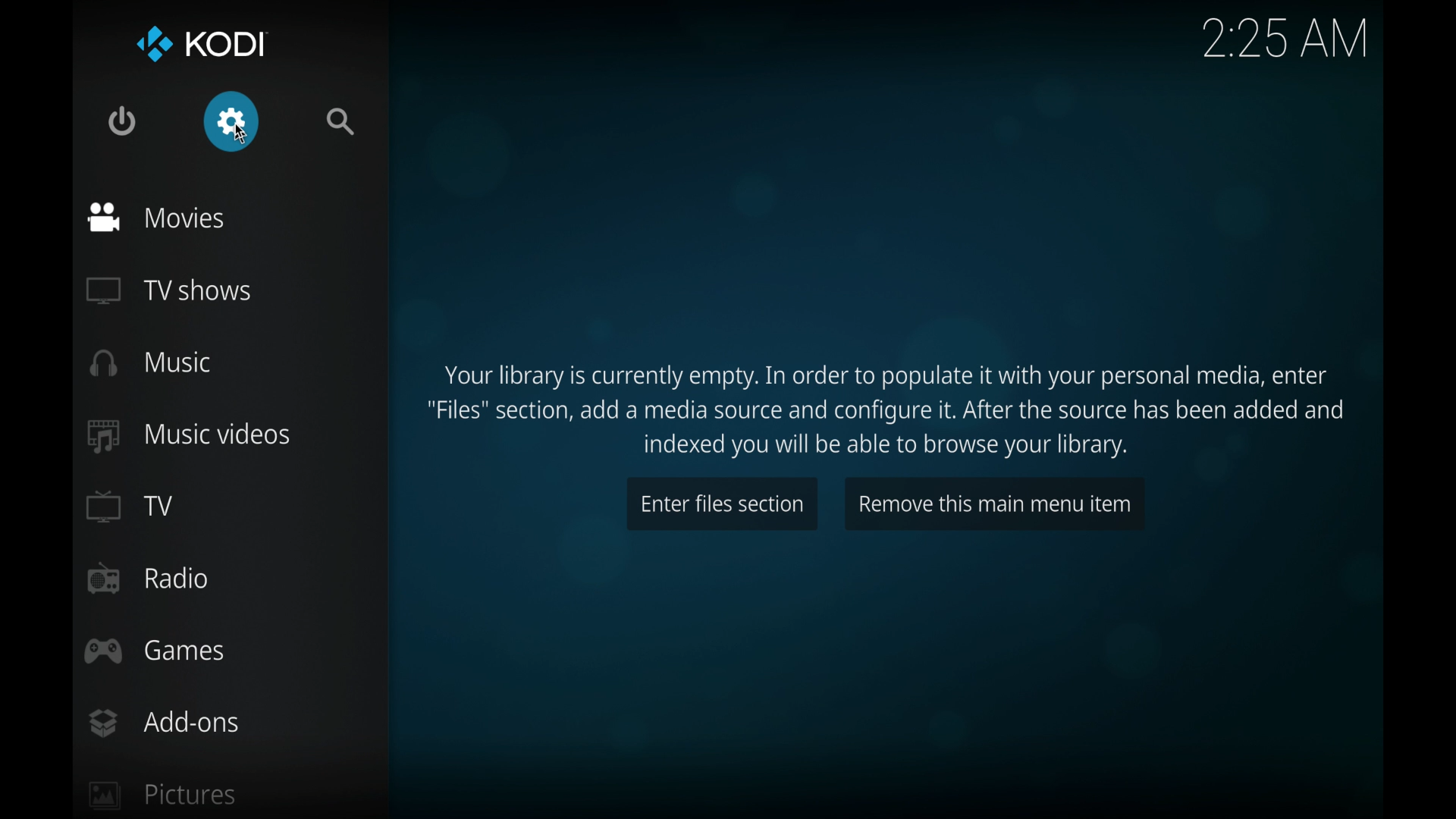 The height and width of the screenshot is (819, 1456). Describe the element at coordinates (340, 122) in the screenshot. I see `search` at that location.